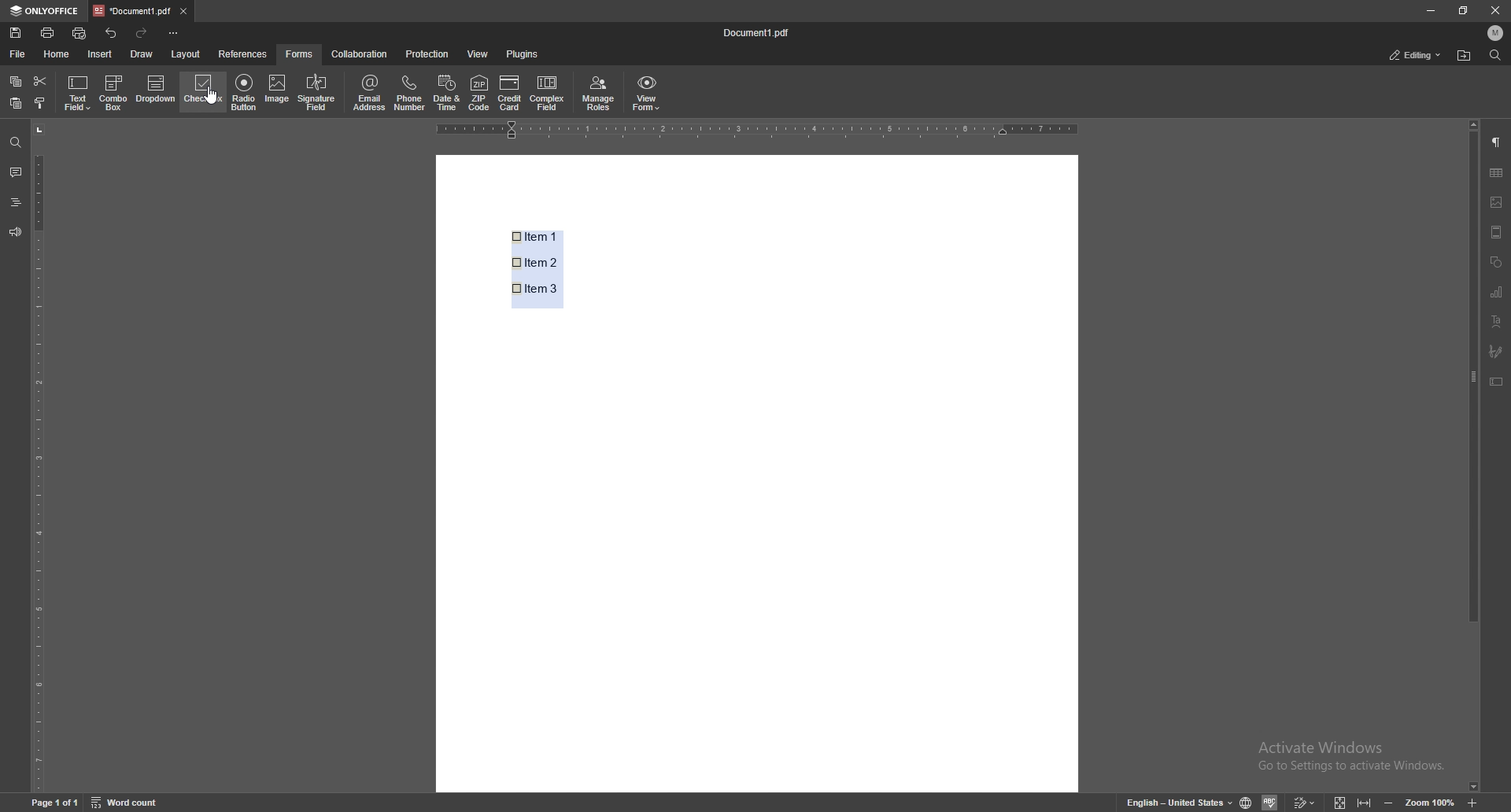 This screenshot has height=812, width=1511. Describe the element at coordinates (517, 290) in the screenshot. I see `checkbox` at that location.